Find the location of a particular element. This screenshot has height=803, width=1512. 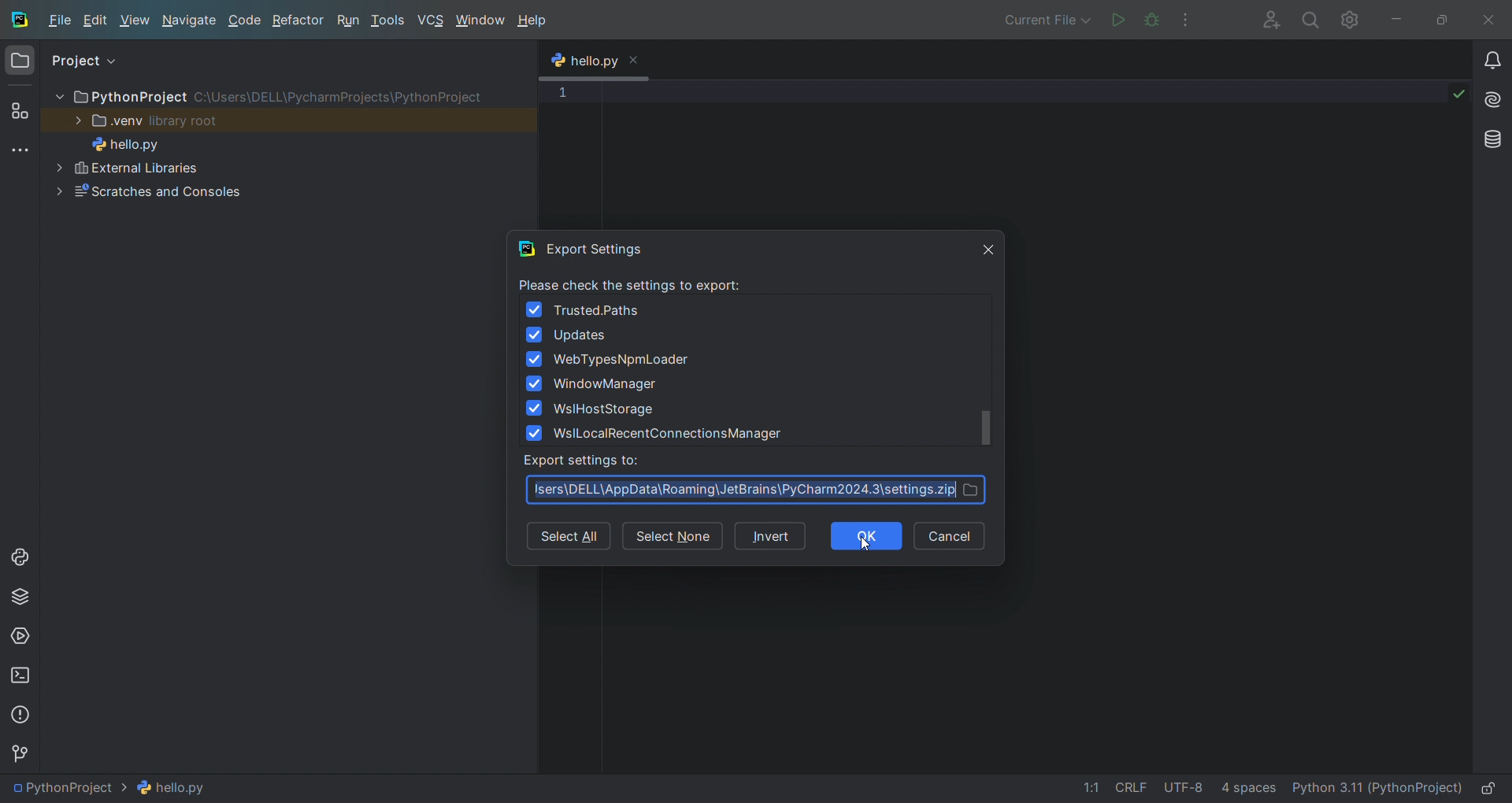

WindowManager is located at coordinates (606, 386).